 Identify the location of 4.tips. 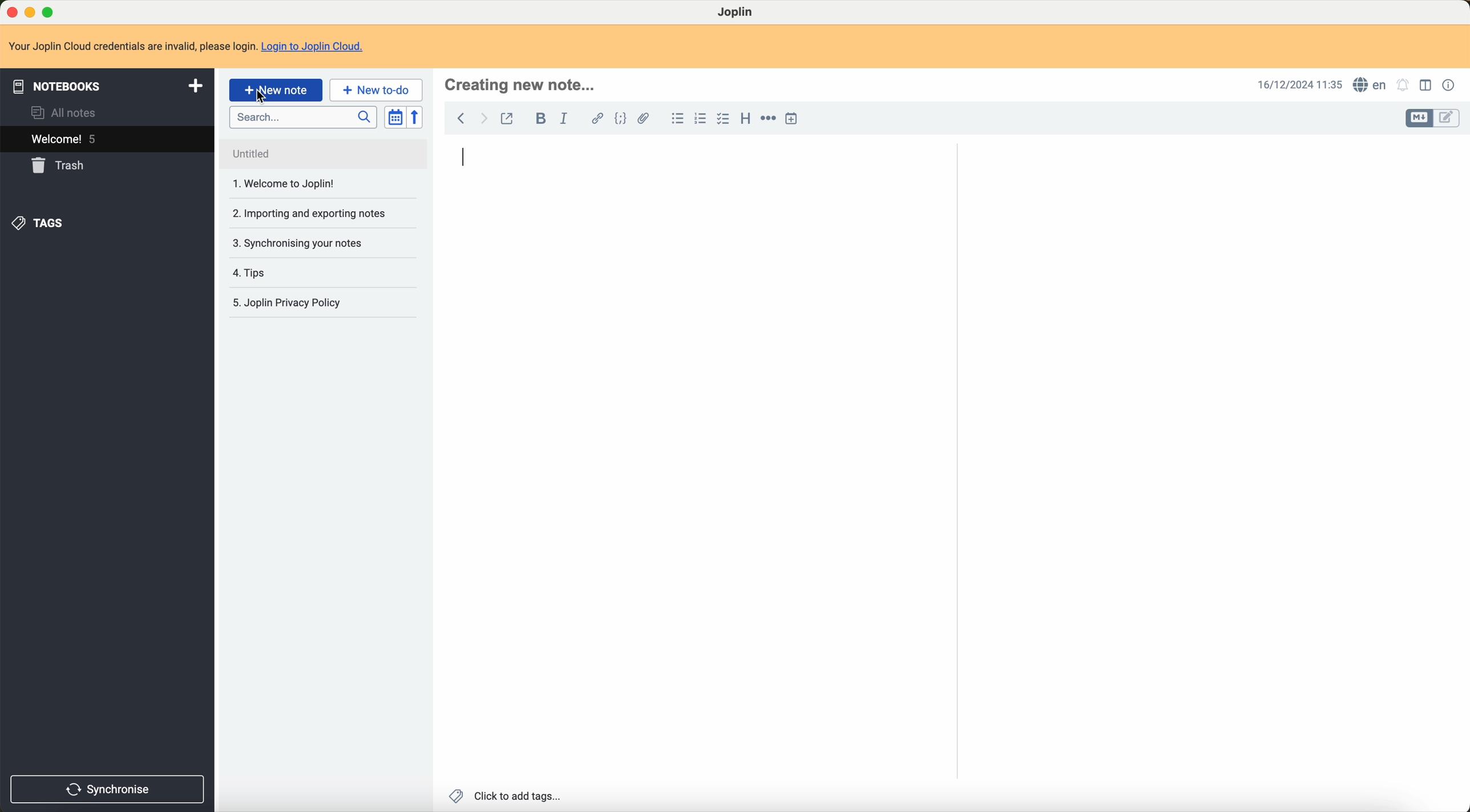
(253, 273).